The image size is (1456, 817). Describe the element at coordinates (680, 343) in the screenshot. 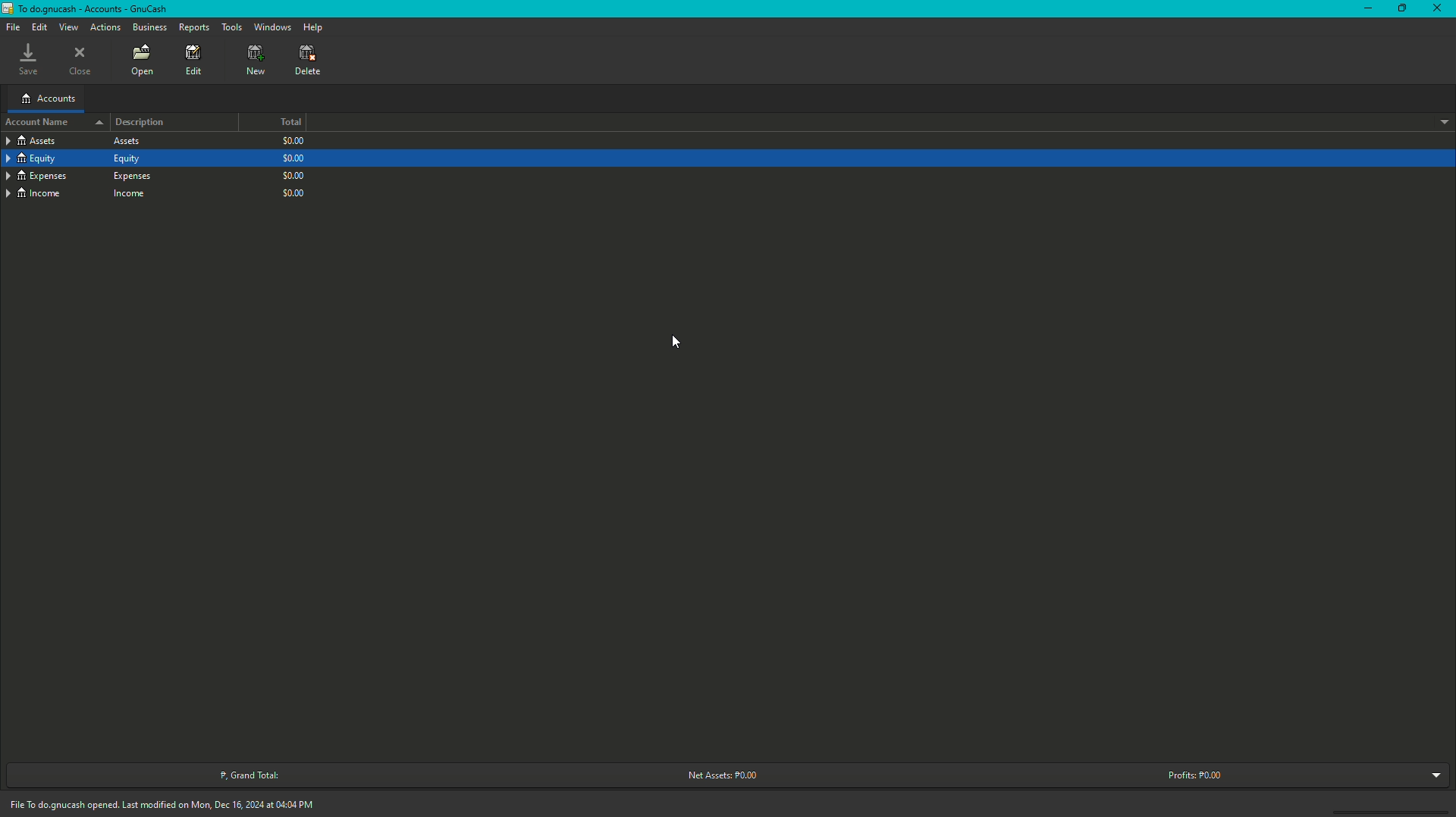

I see `Cursor` at that location.